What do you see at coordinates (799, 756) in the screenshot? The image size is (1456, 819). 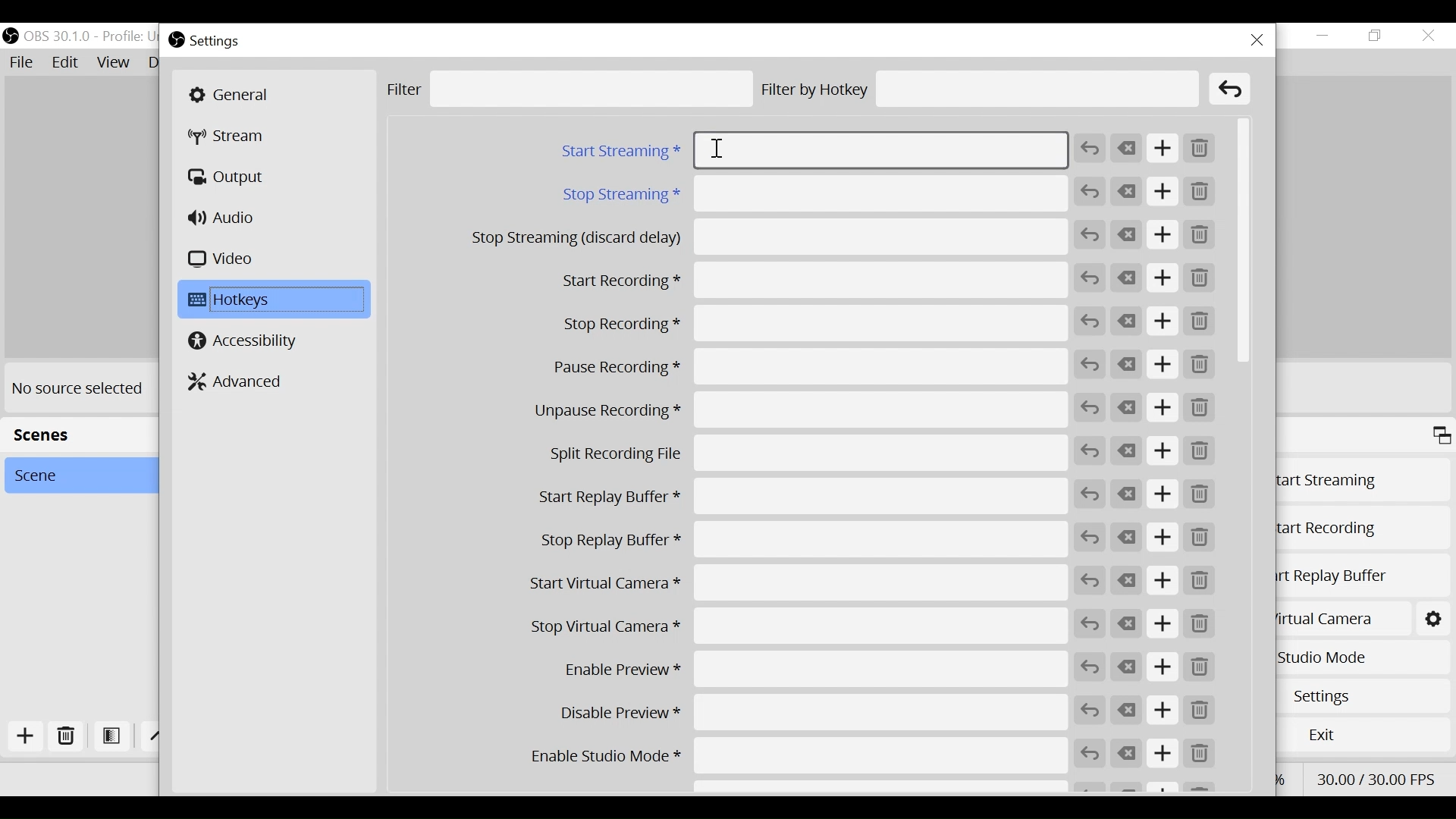 I see `Enable Studio Mode` at bounding box center [799, 756].